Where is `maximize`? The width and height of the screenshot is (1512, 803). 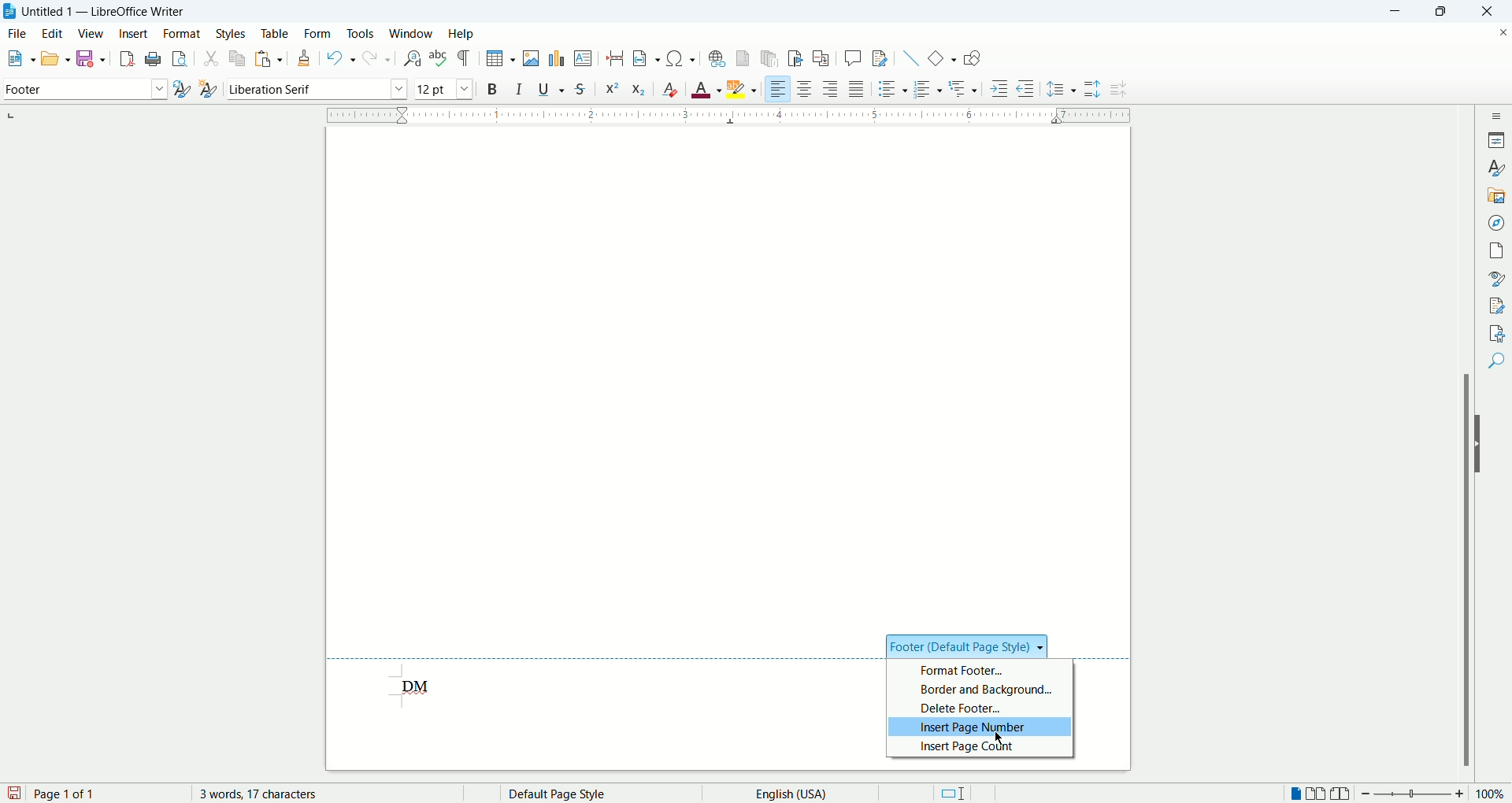 maximize is located at coordinates (1447, 13).